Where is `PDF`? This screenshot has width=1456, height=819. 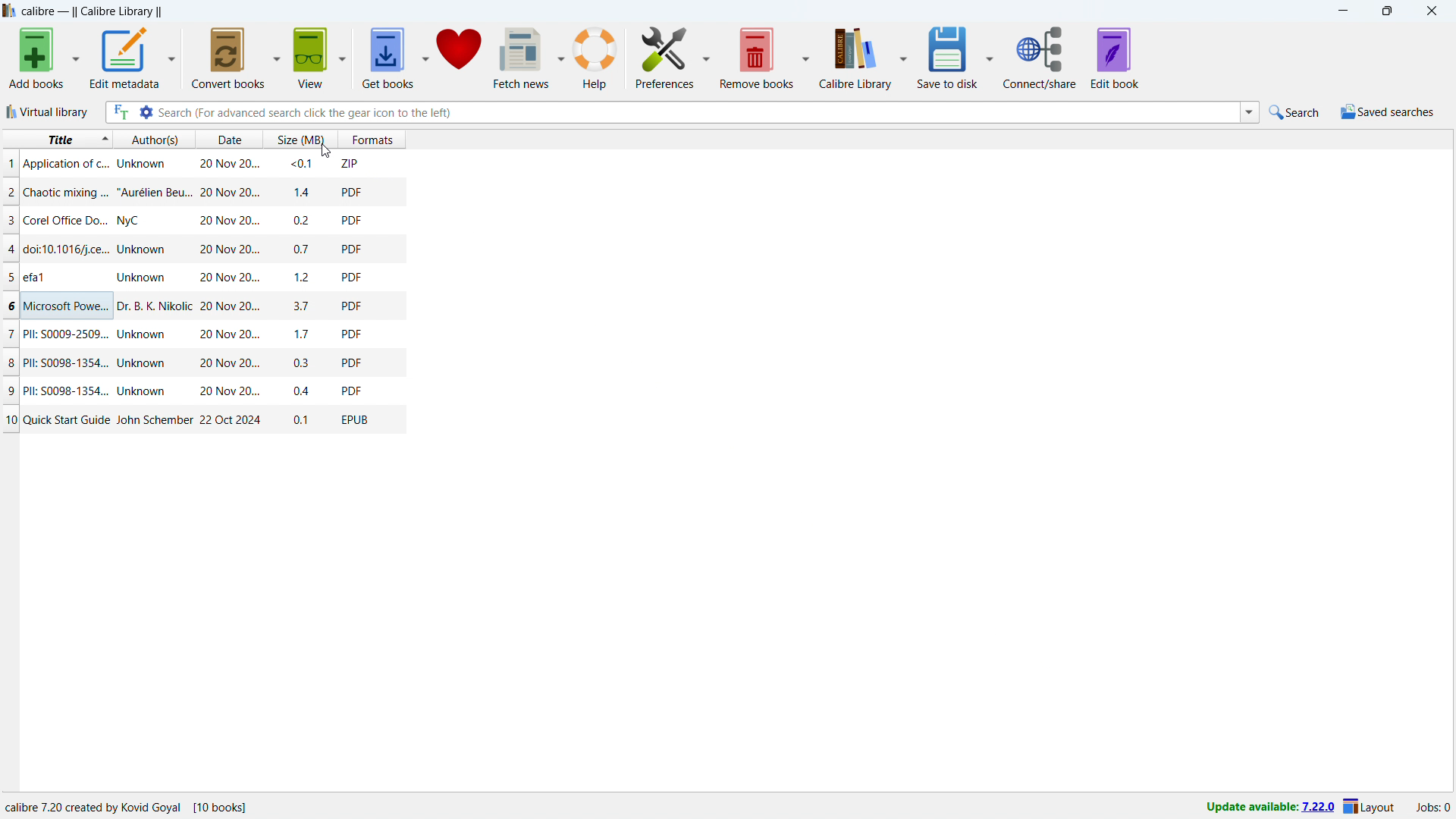
PDF is located at coordinates (350, 306).